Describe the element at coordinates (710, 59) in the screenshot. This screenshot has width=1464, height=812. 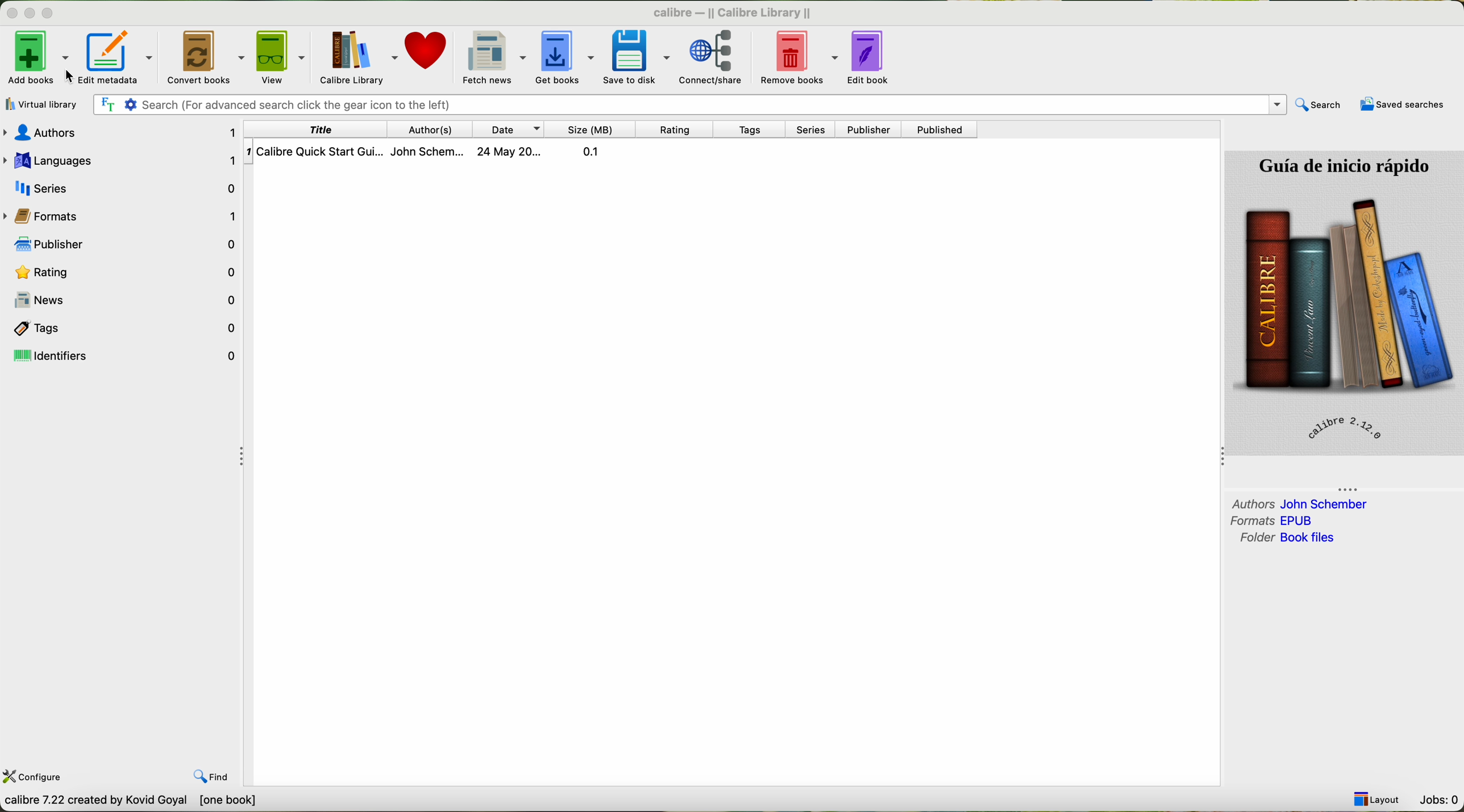
I see `connect/share` at that location.